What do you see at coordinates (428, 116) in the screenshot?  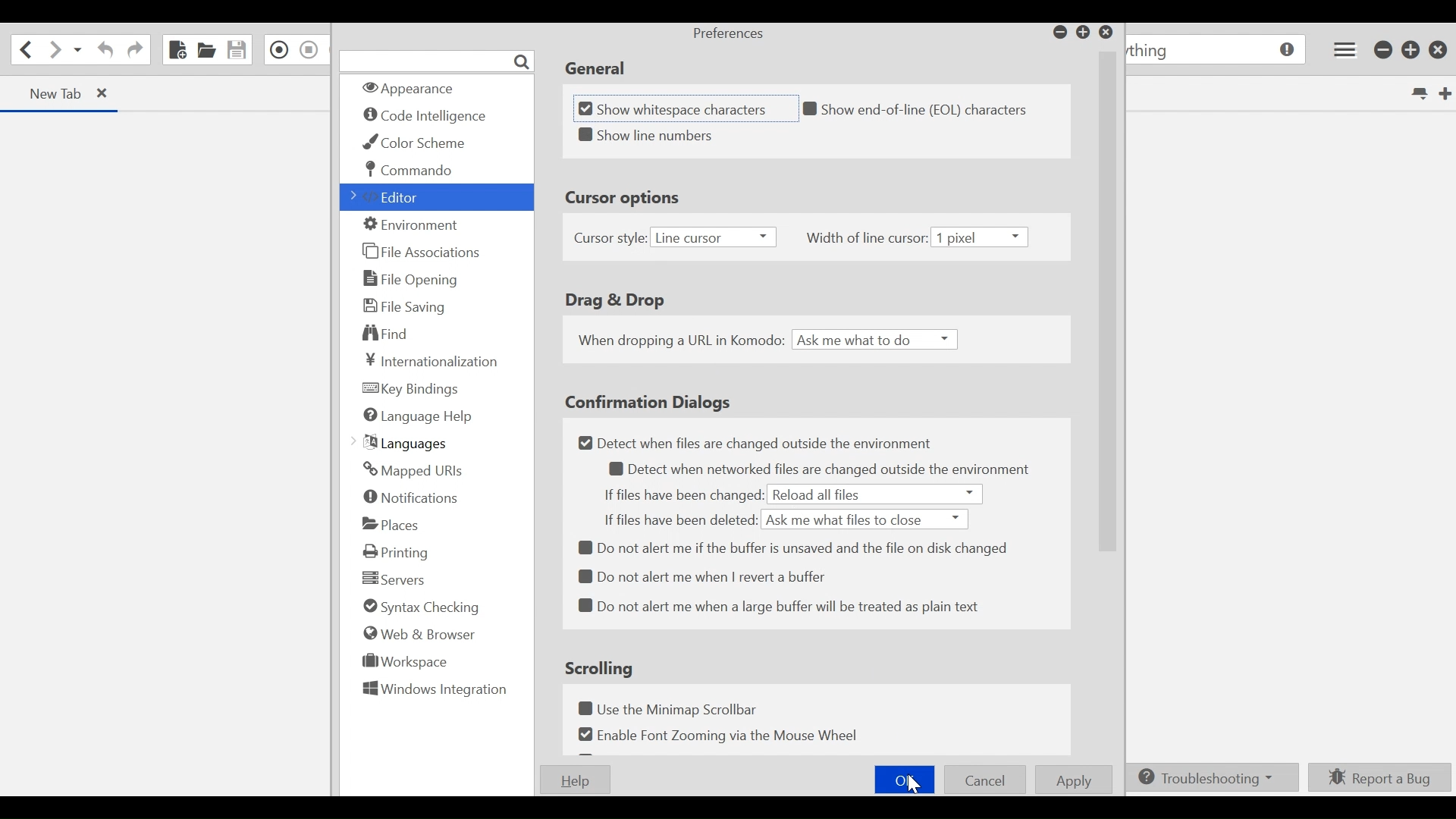 I see `Code intelligence` at bounding box center [428, 116].